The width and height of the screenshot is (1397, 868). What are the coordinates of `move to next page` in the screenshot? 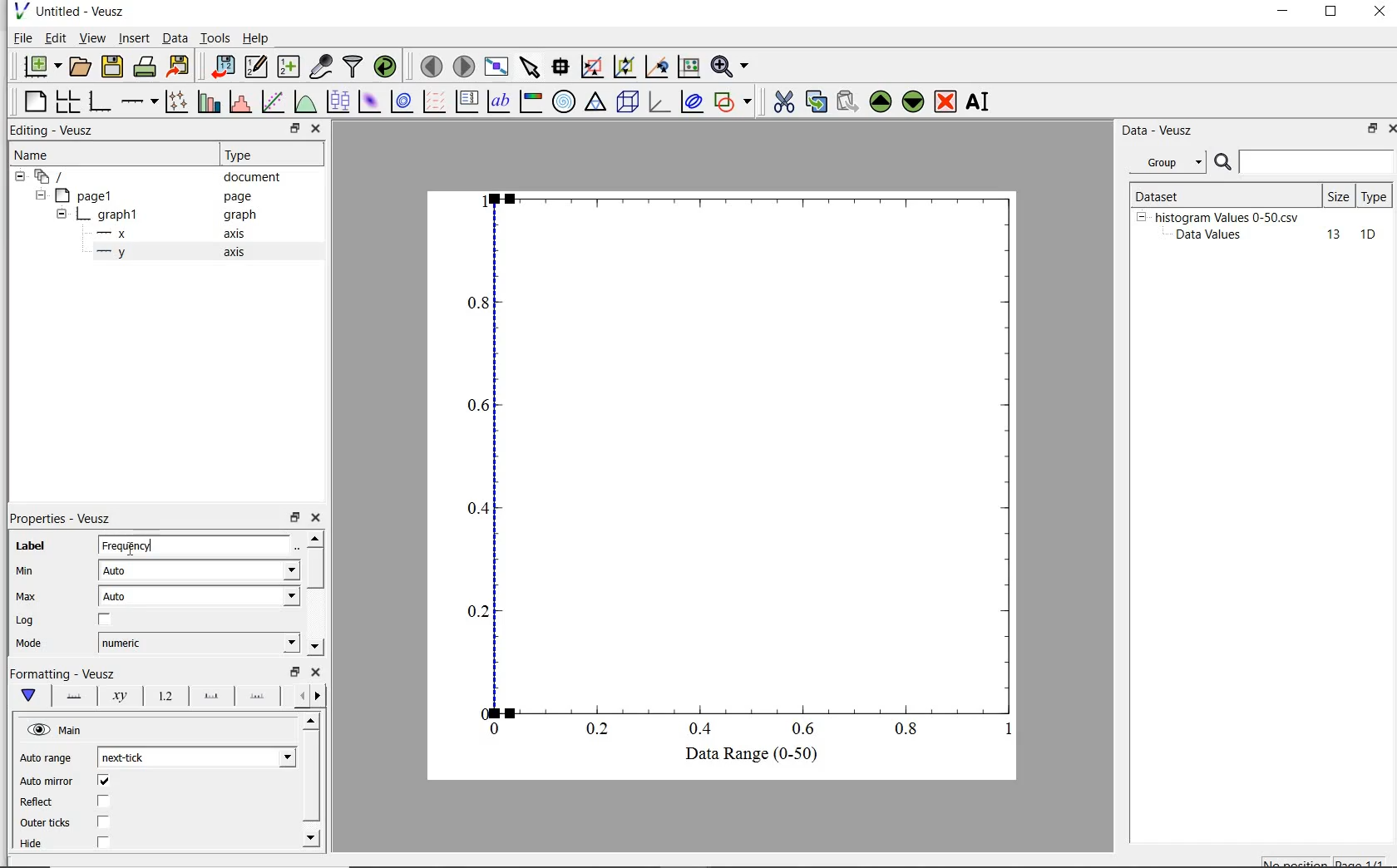 It's located at (465, 66).